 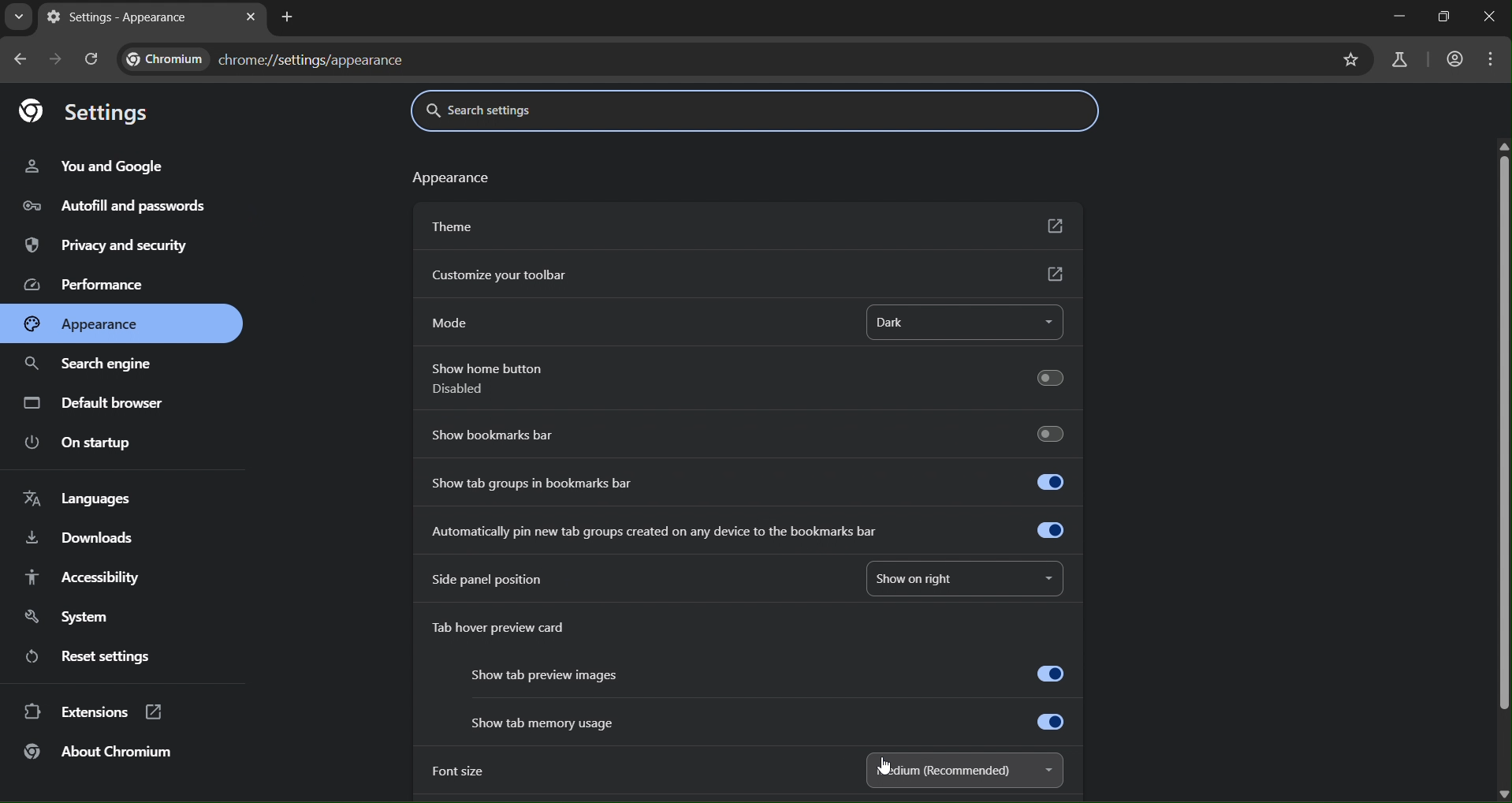 I want to click on go forward in page, so click(x=57, y=60).